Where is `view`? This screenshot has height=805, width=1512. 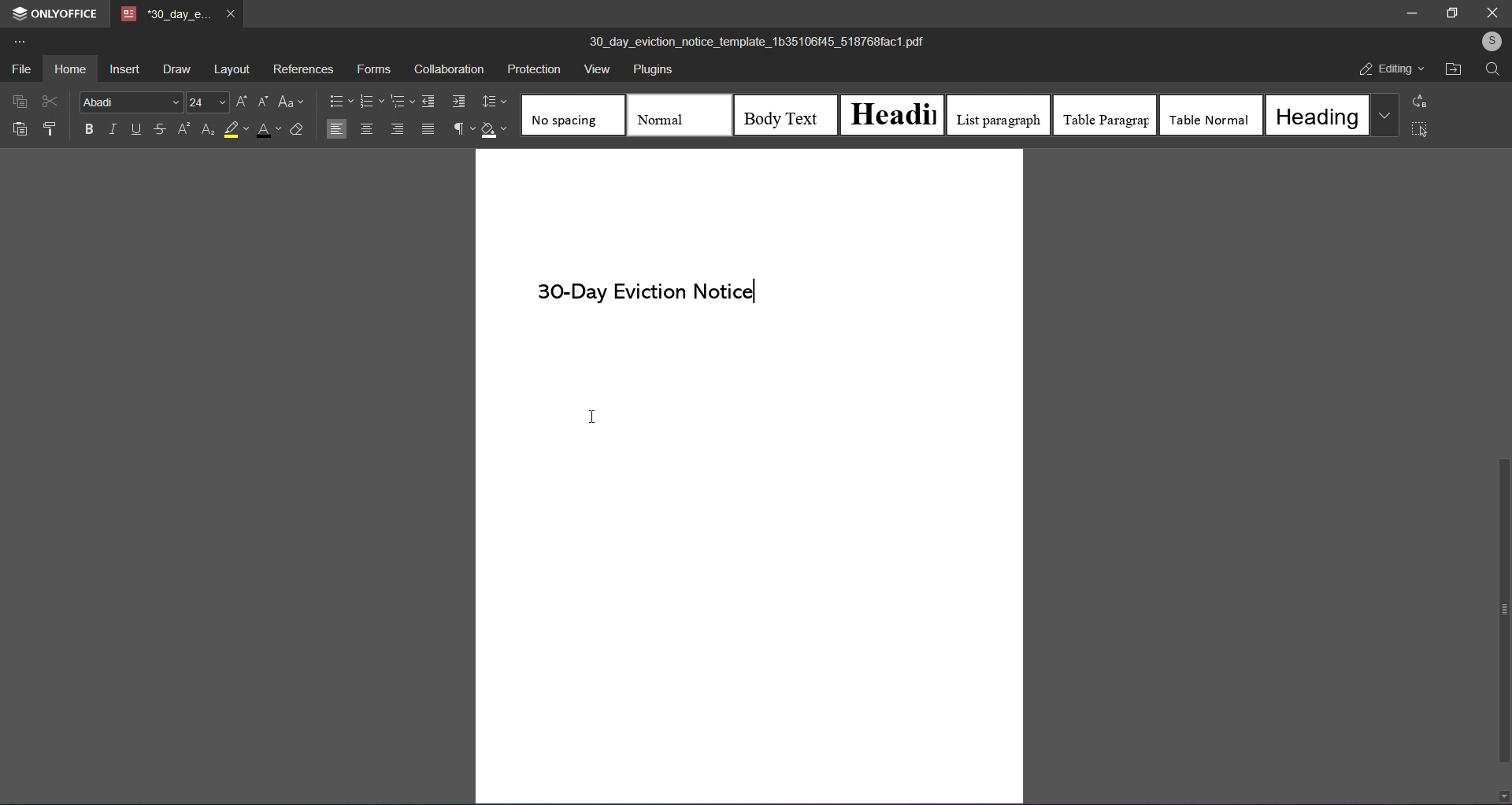
view is located at coordinates (595, 71).